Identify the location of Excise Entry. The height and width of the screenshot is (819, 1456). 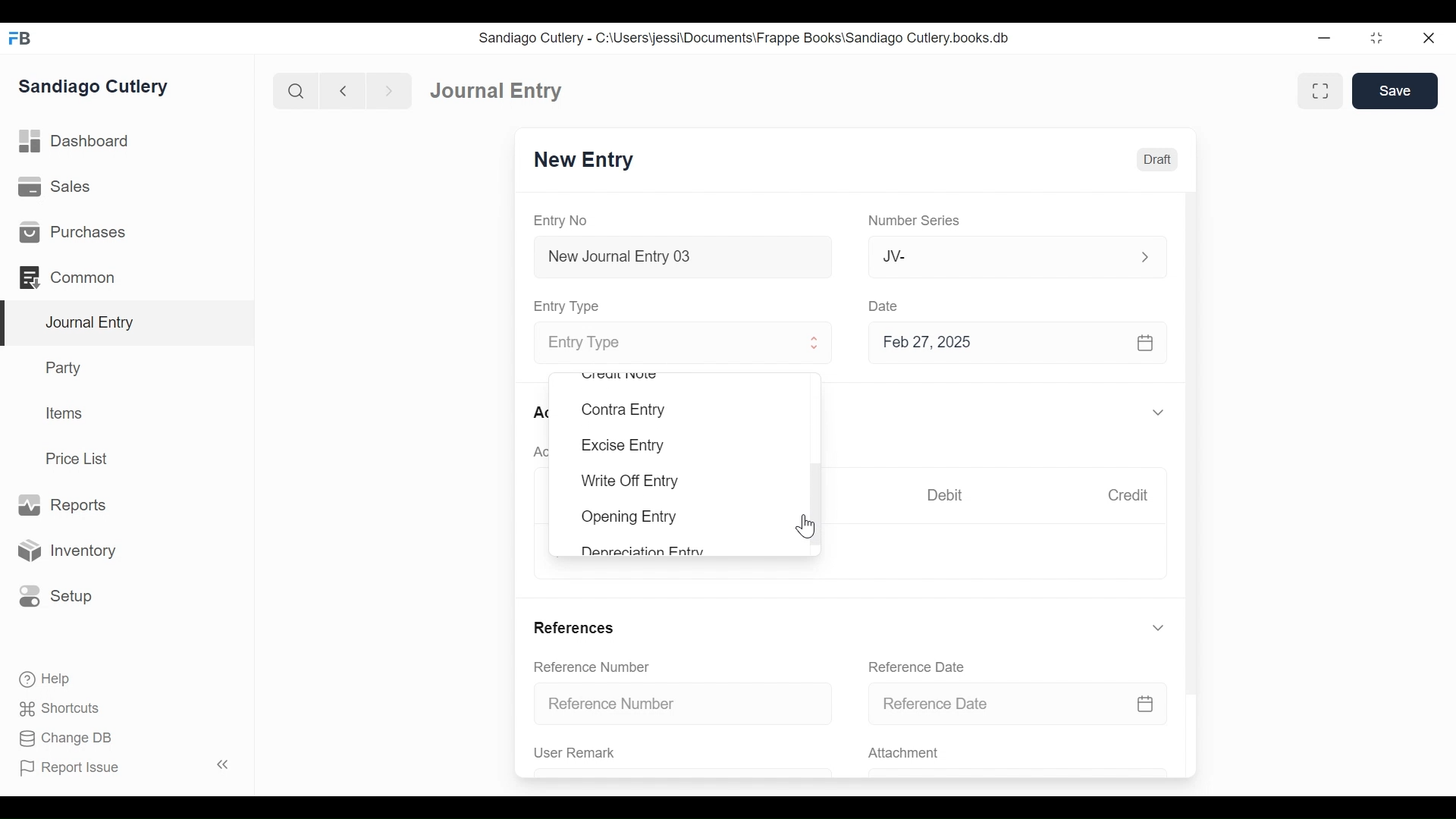
(624, 445).